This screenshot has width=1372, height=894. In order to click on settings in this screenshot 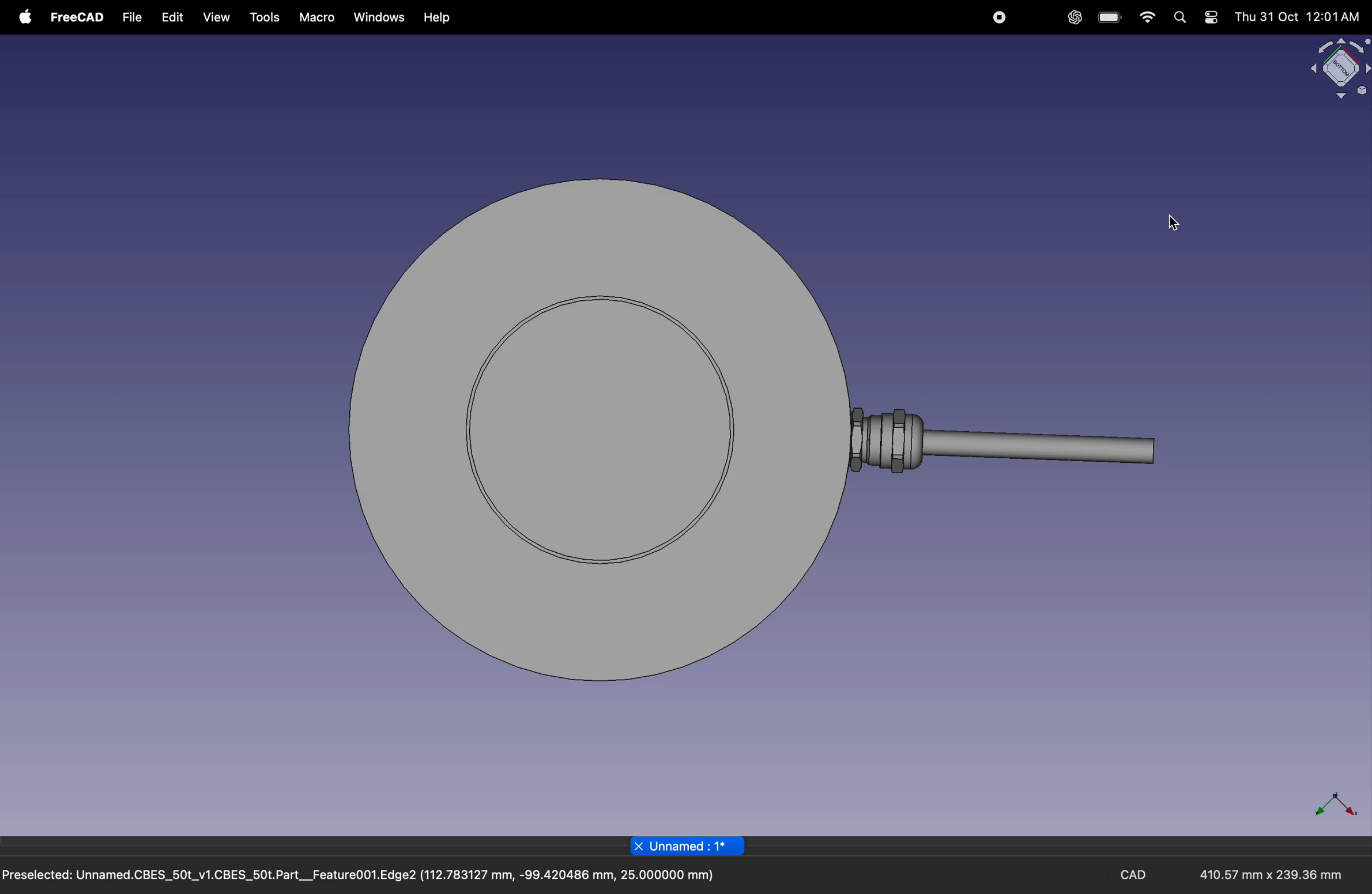, I will do `click(1211, 19)`.